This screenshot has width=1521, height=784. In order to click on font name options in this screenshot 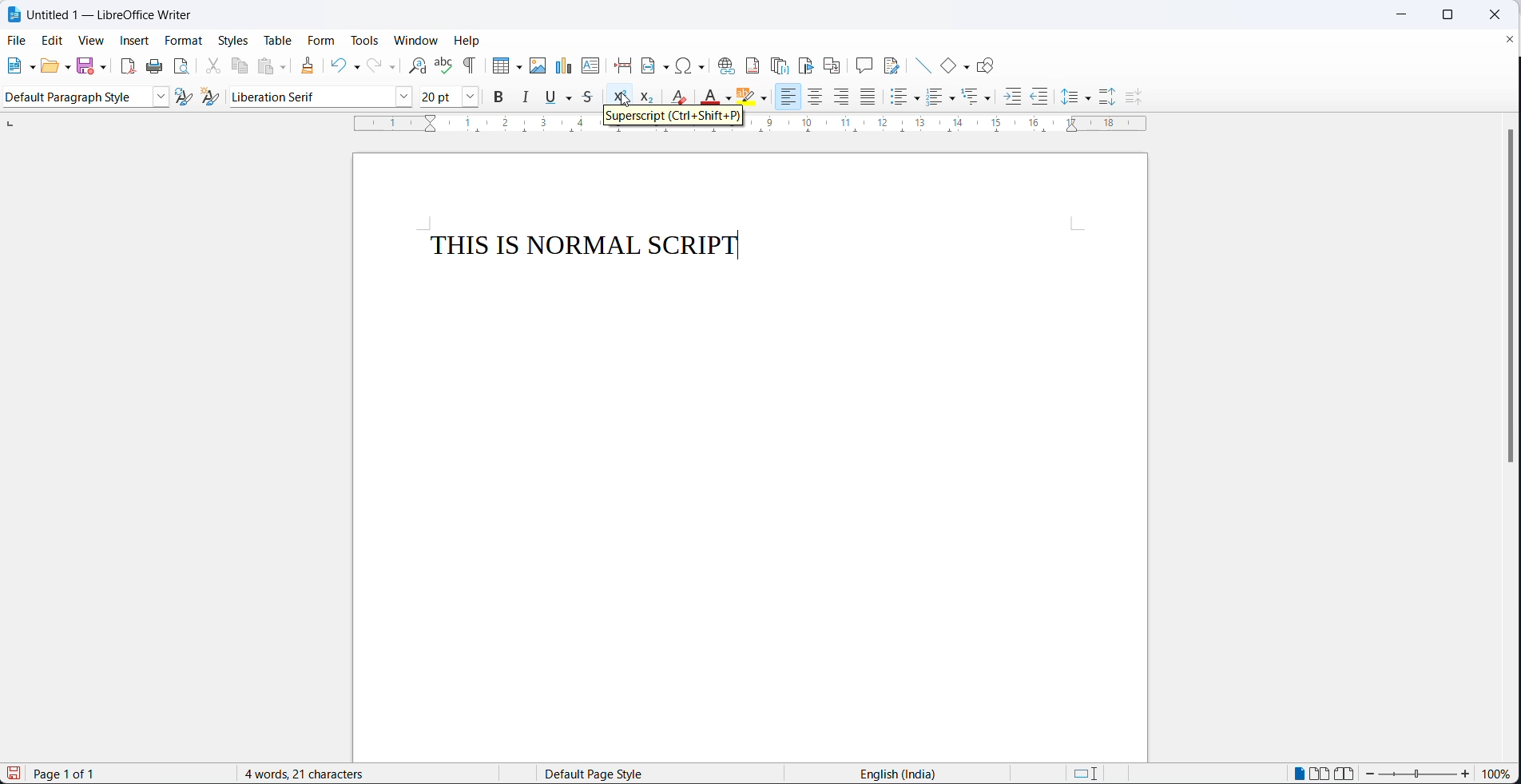, I will do `click(406, 98)`.